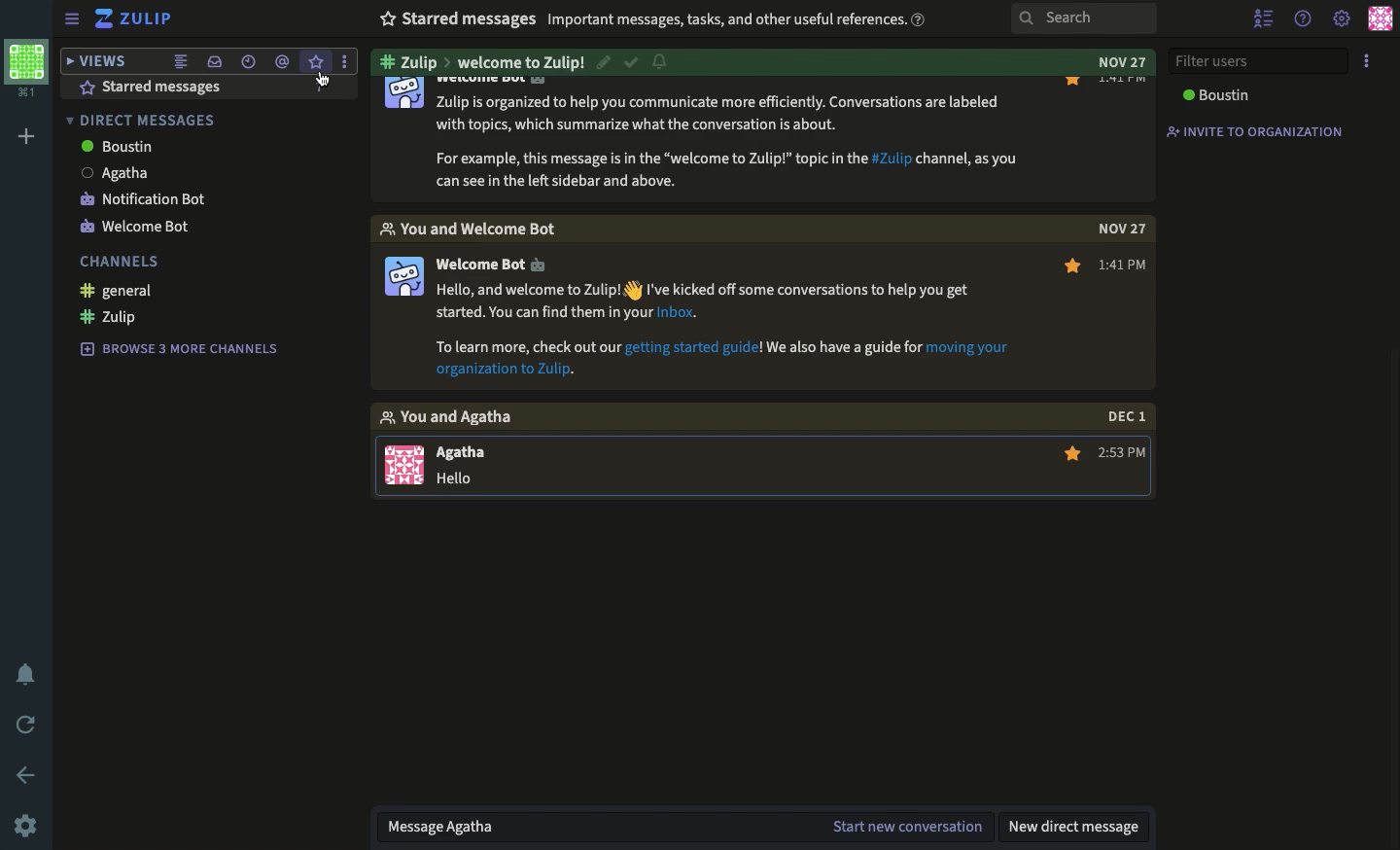  Describe the element at coordinates (708, 302) in the screenshot. I see `# Hello, and welcome to Zulip! 3g I've kicked off some conversations to help you get
started. You can find them in your Inbox.` at that location.